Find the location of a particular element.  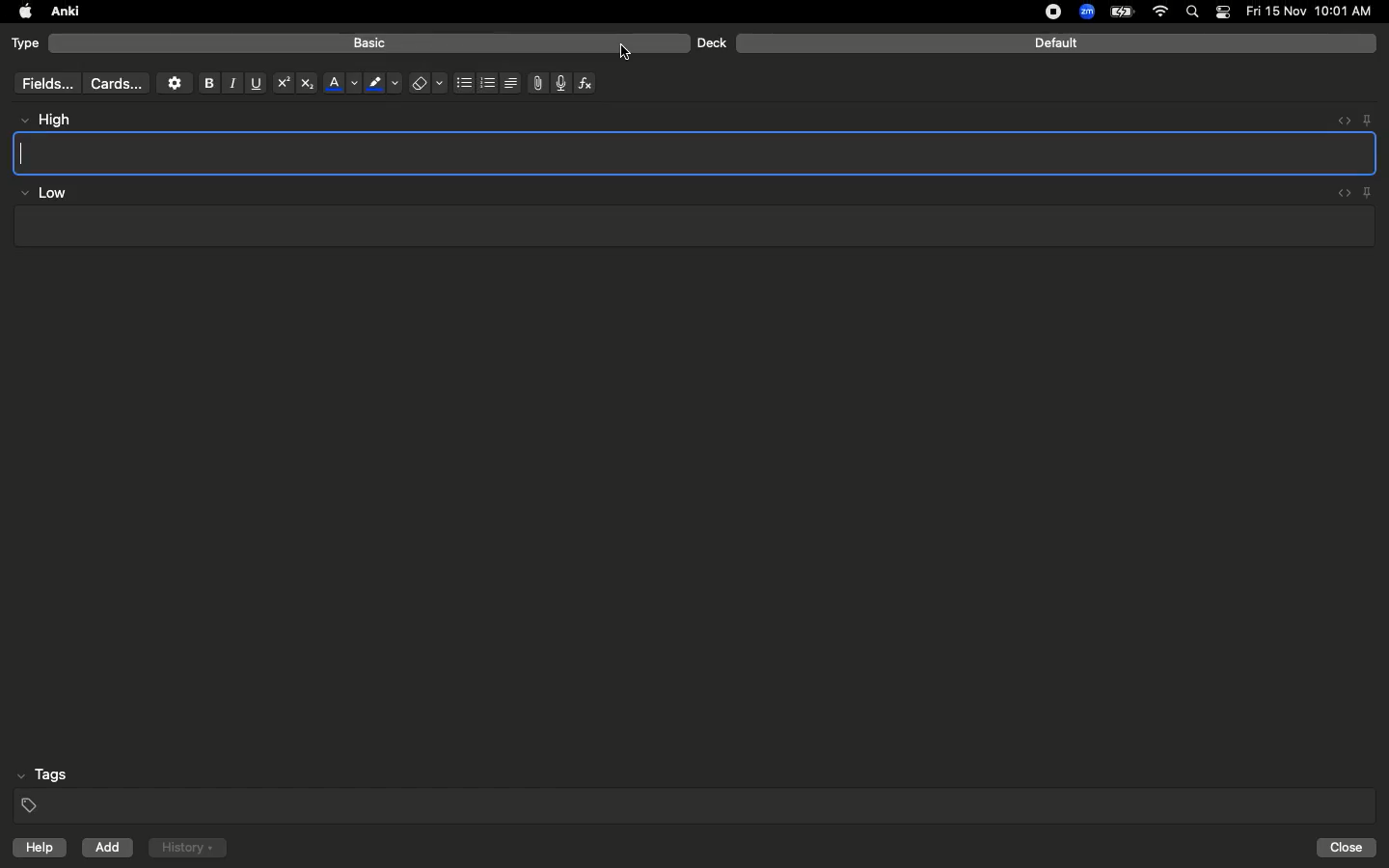

cursor is located at coordinates (634, 54).